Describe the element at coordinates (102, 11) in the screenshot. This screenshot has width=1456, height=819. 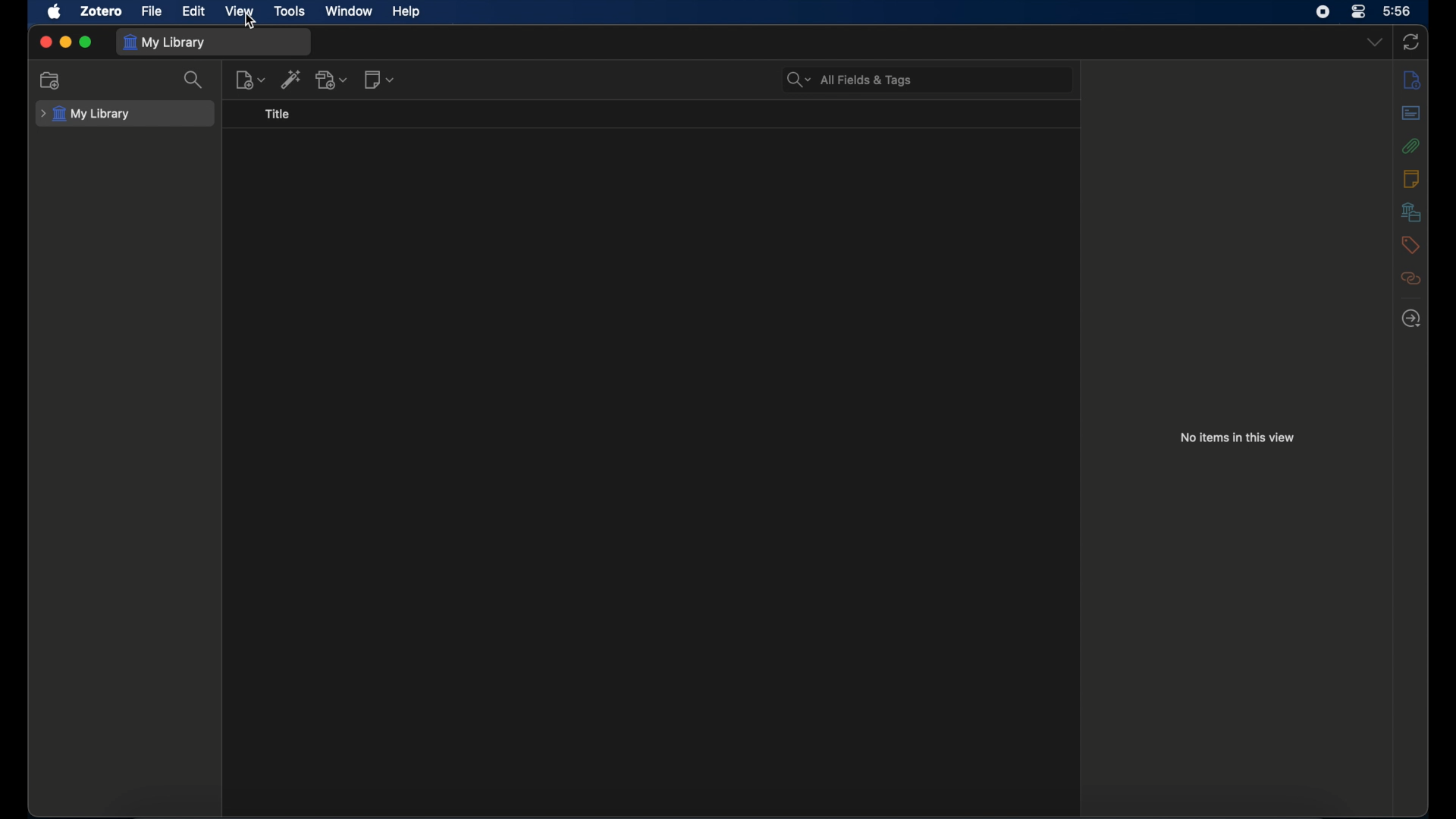
I see `zotero` at that location.